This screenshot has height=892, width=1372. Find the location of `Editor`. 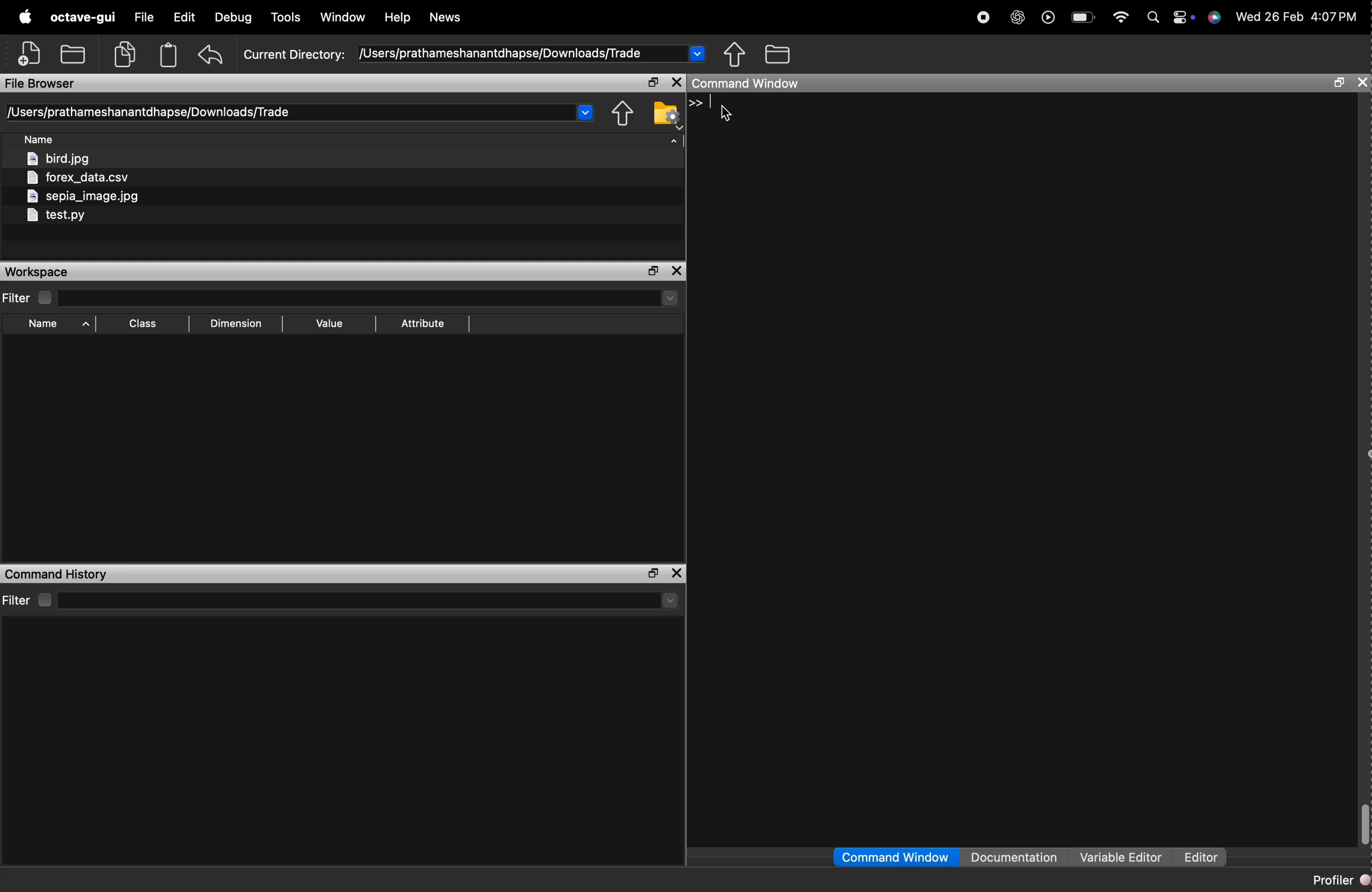

Editor is located at coordinates (1203, 856).